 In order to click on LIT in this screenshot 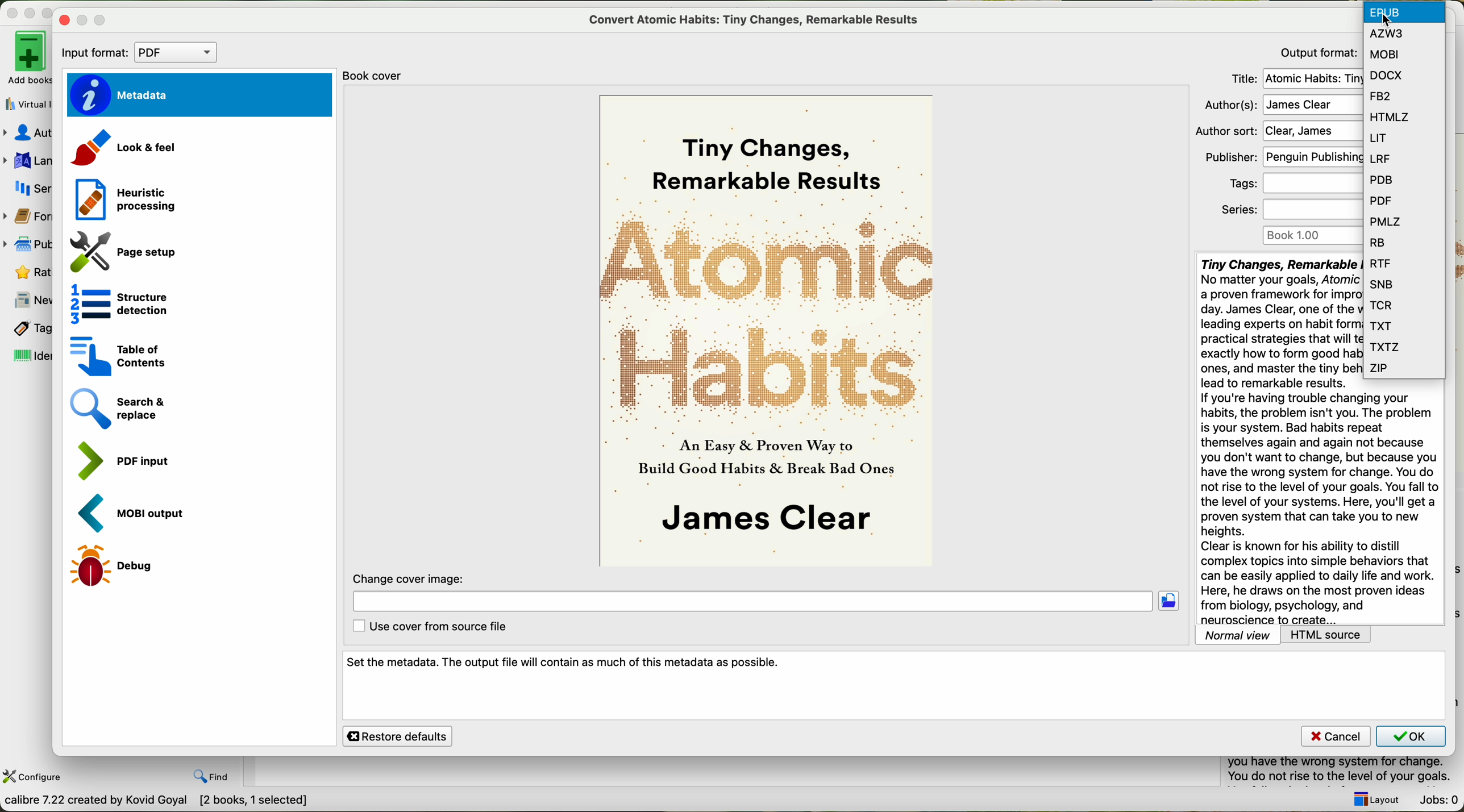, I will do `click(1403, 138)`.